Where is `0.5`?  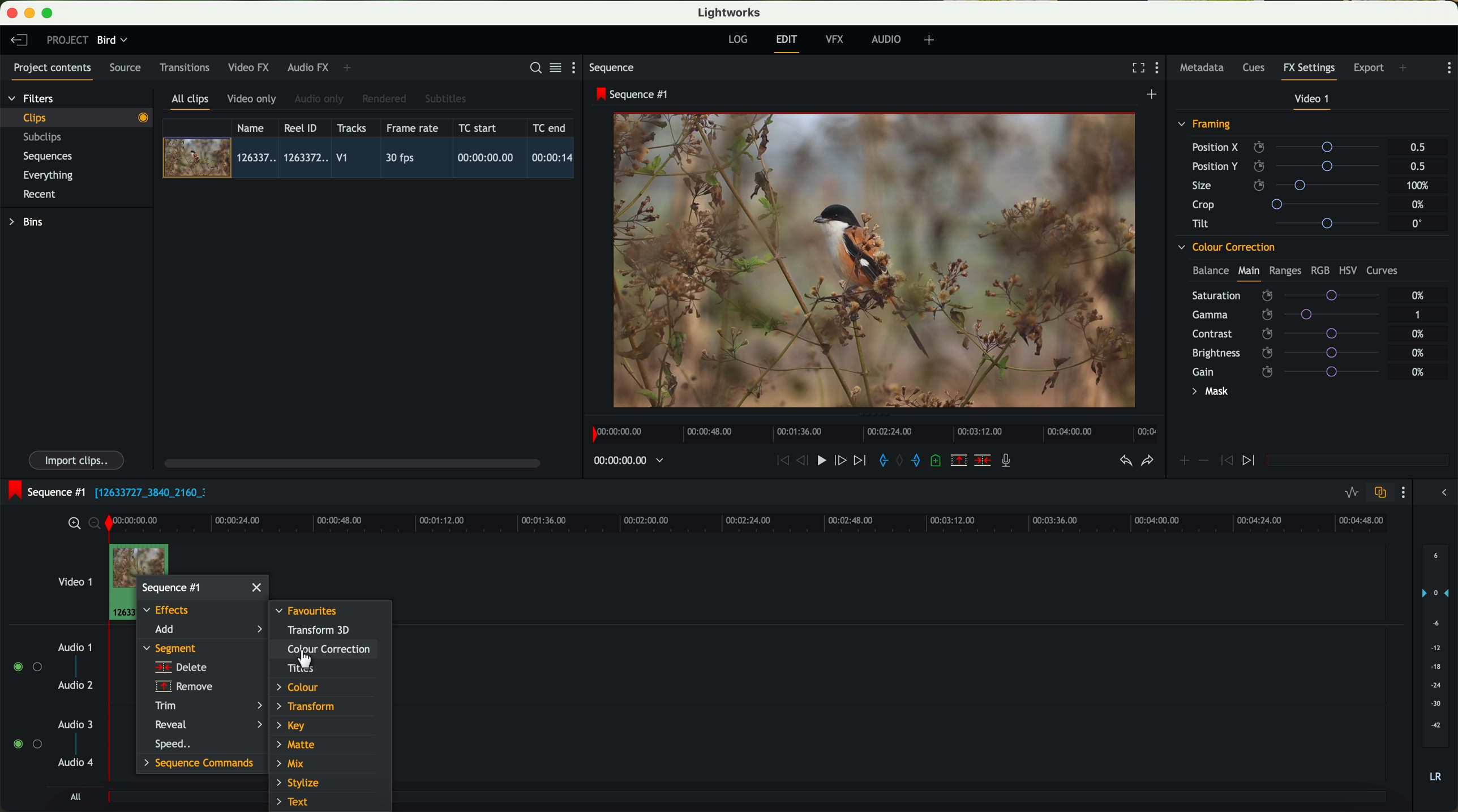
0.5 is located at coordinates (1418, 148).